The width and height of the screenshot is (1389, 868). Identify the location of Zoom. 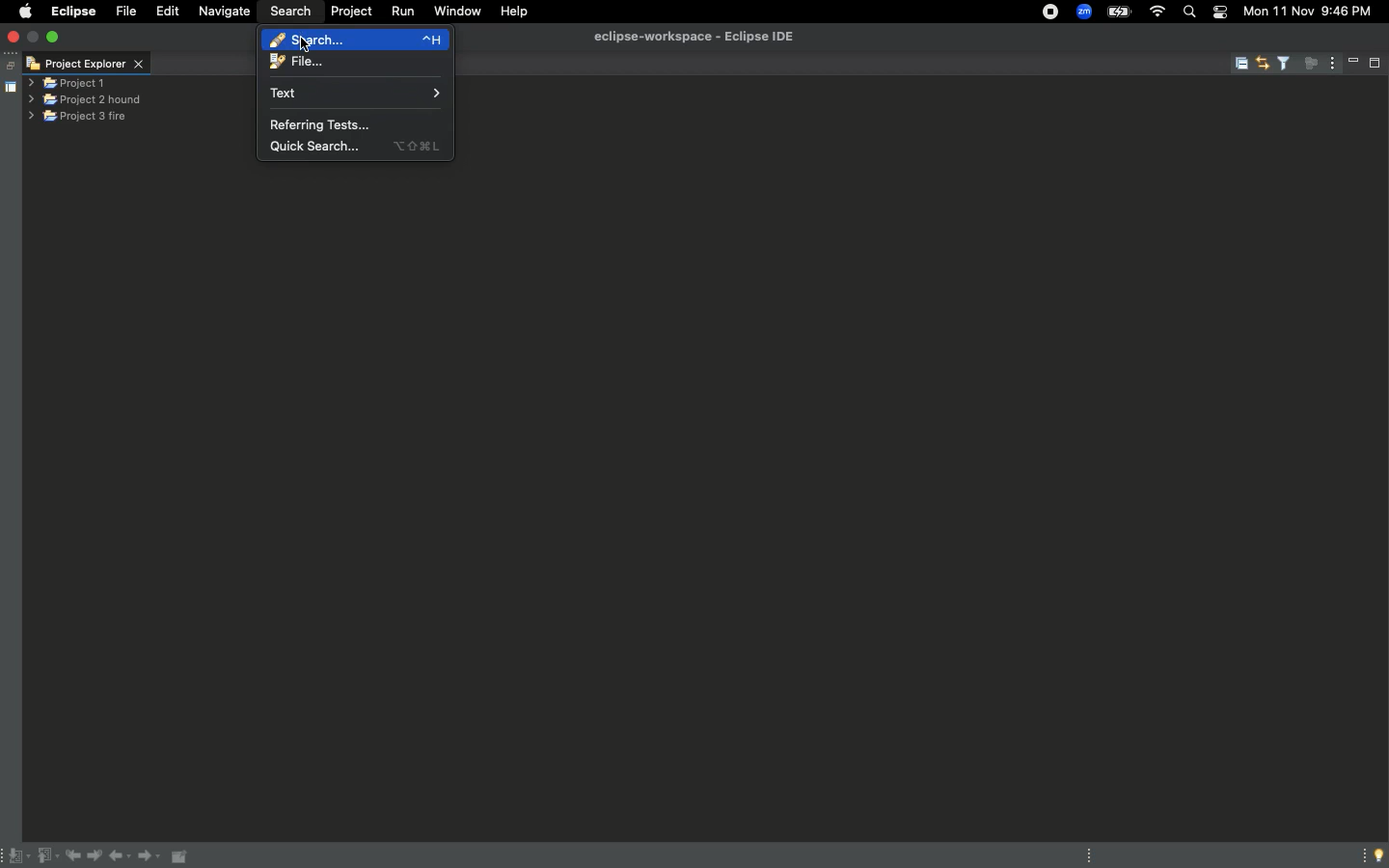
(1084, 14).